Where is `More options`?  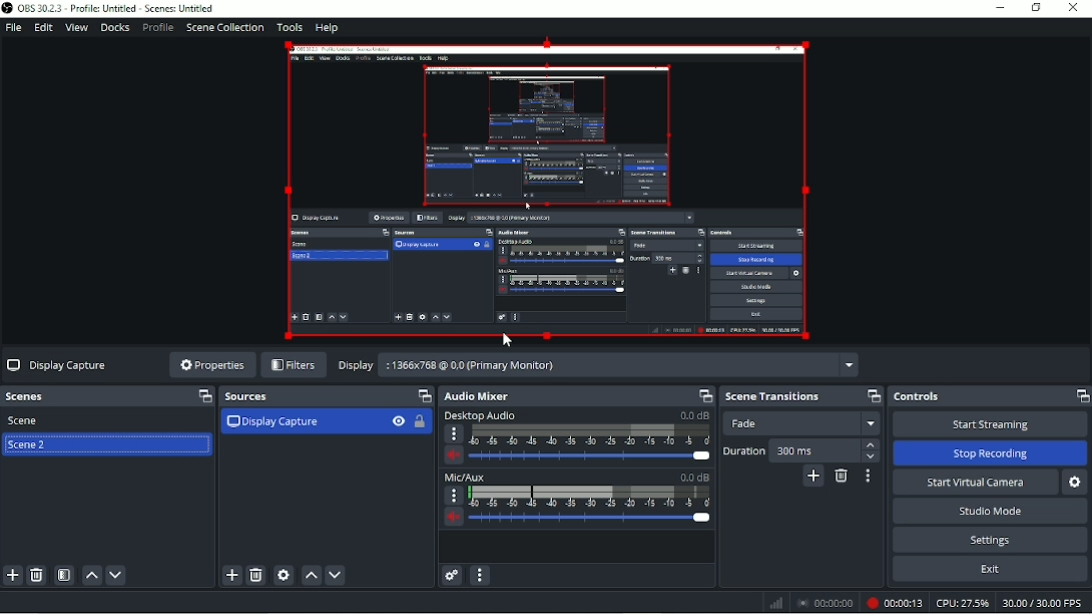
More options is located at coordinates (454, 435).